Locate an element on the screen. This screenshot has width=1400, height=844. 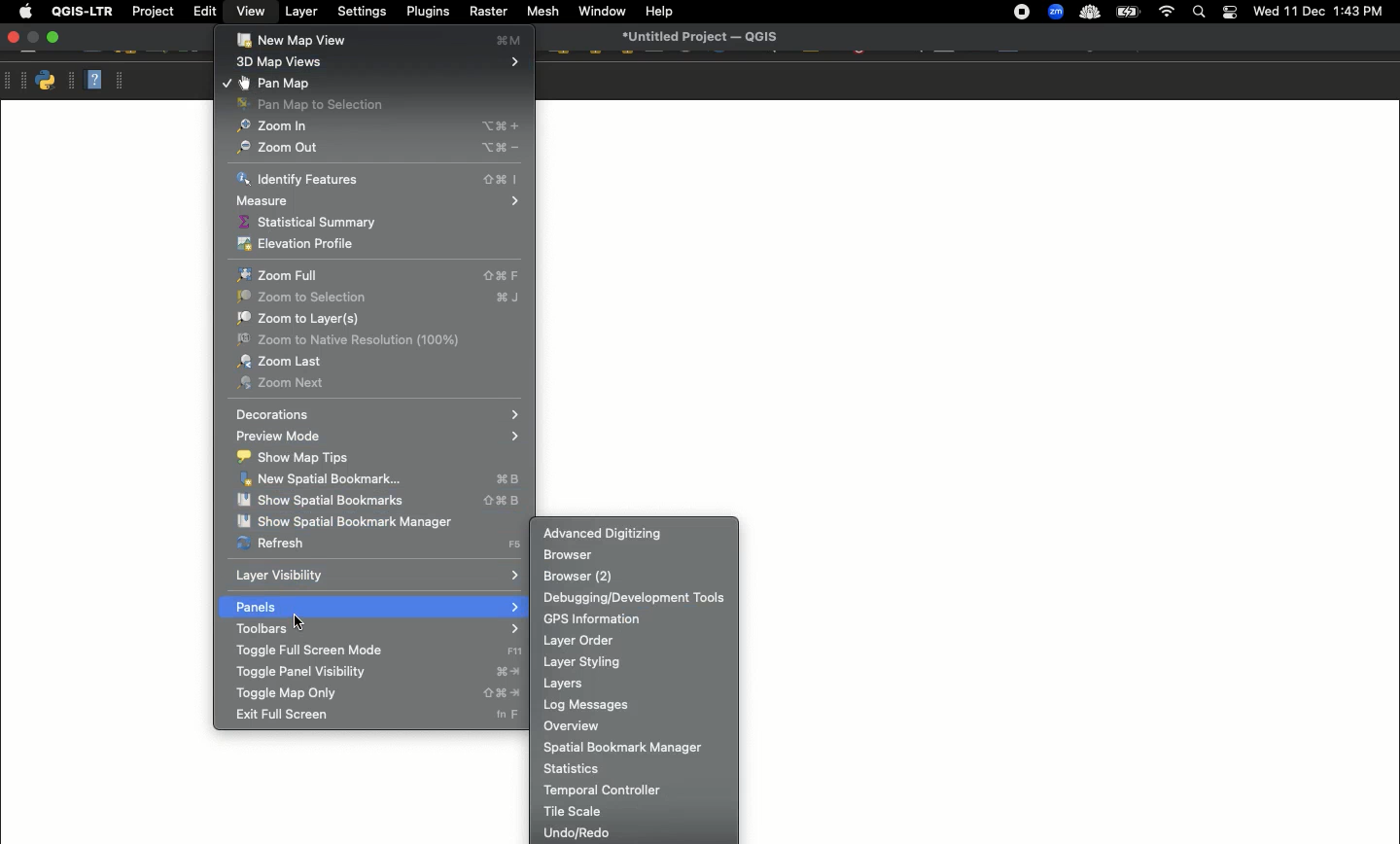
Tie scale is located at coordinates (634, 809).